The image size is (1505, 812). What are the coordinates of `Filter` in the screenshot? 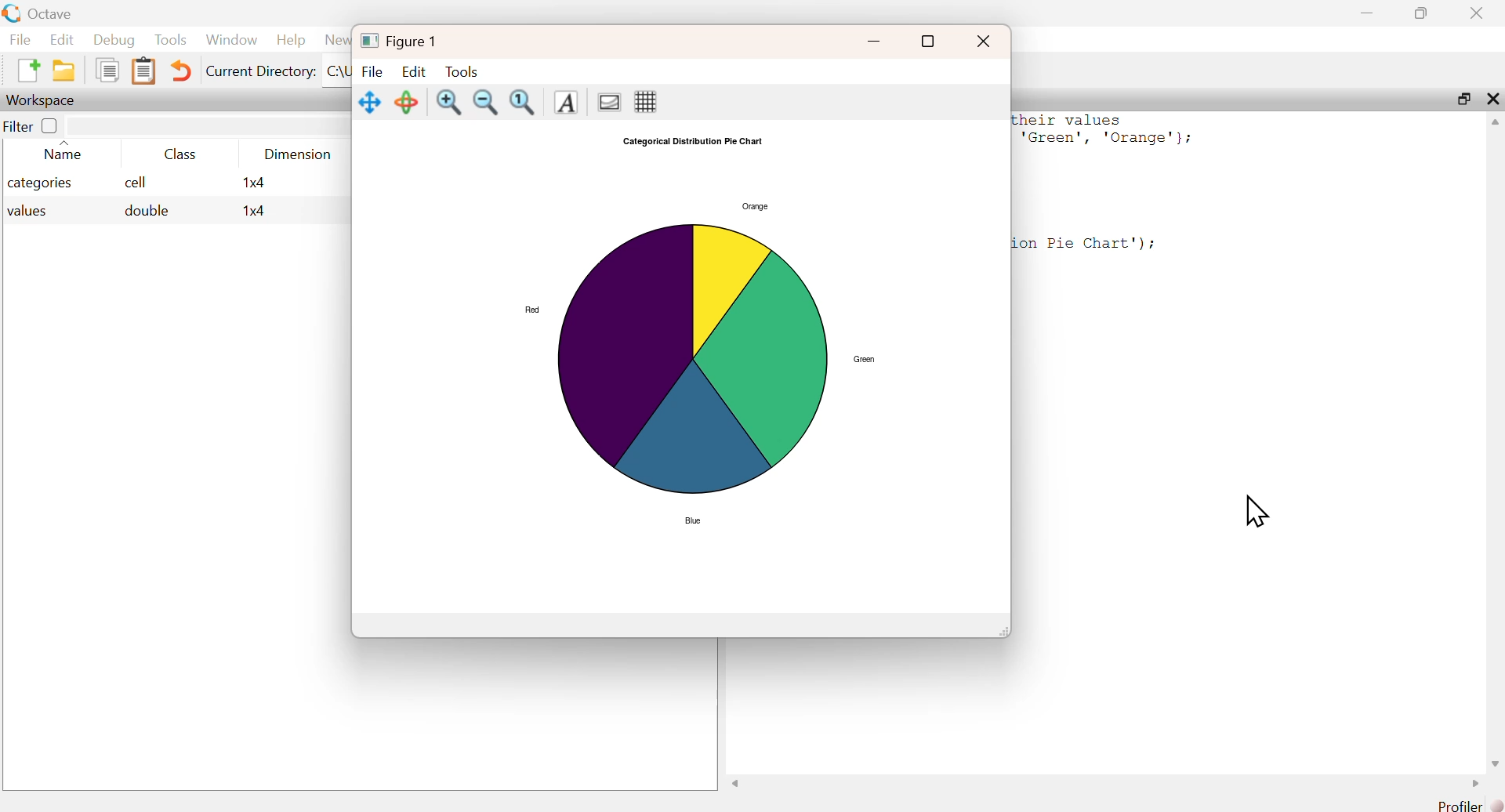 It's located at (33, 125).